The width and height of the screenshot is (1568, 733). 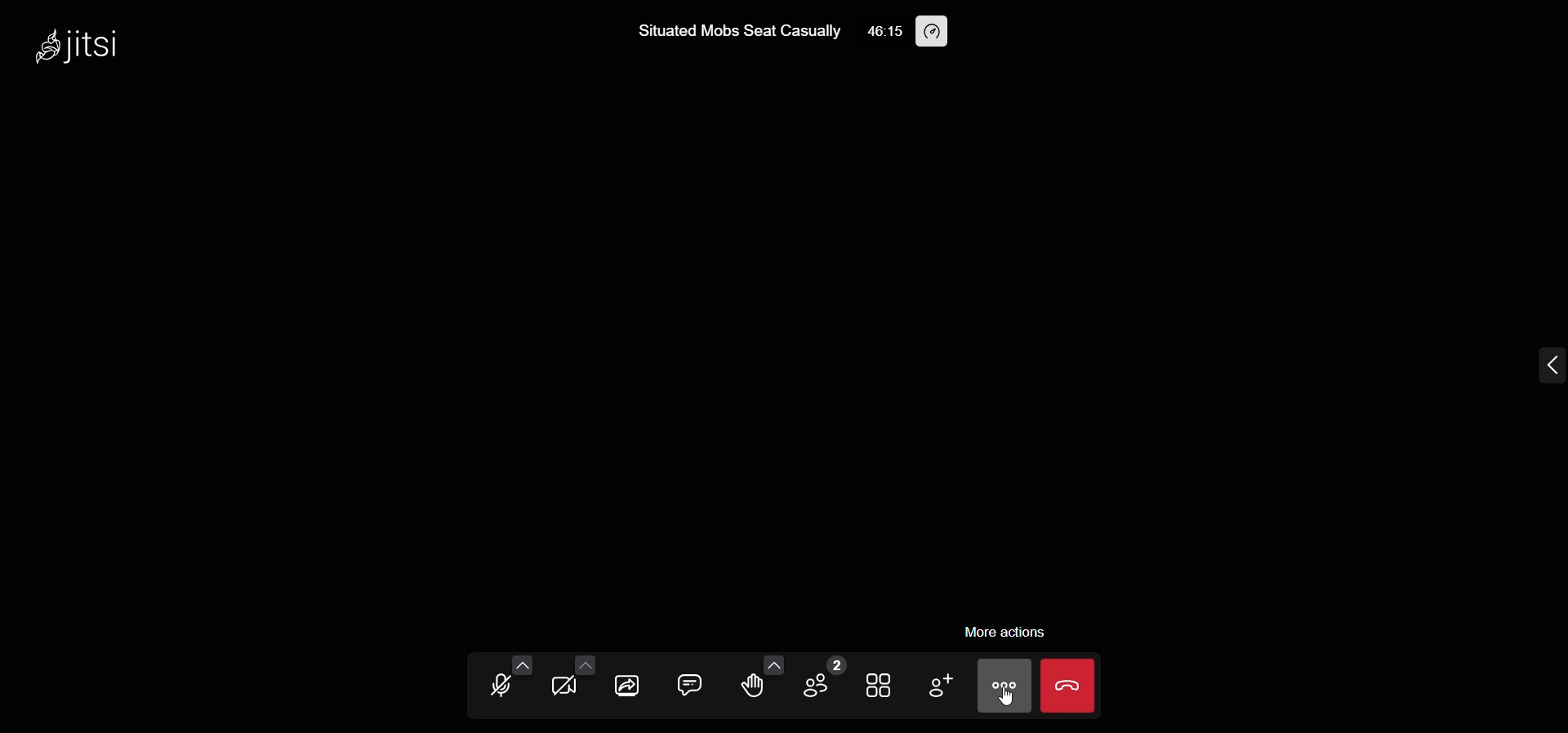 What do you see at coordinates (1004, 690) in the screenshot?
I see `more` at bounding box center [1004, 690].